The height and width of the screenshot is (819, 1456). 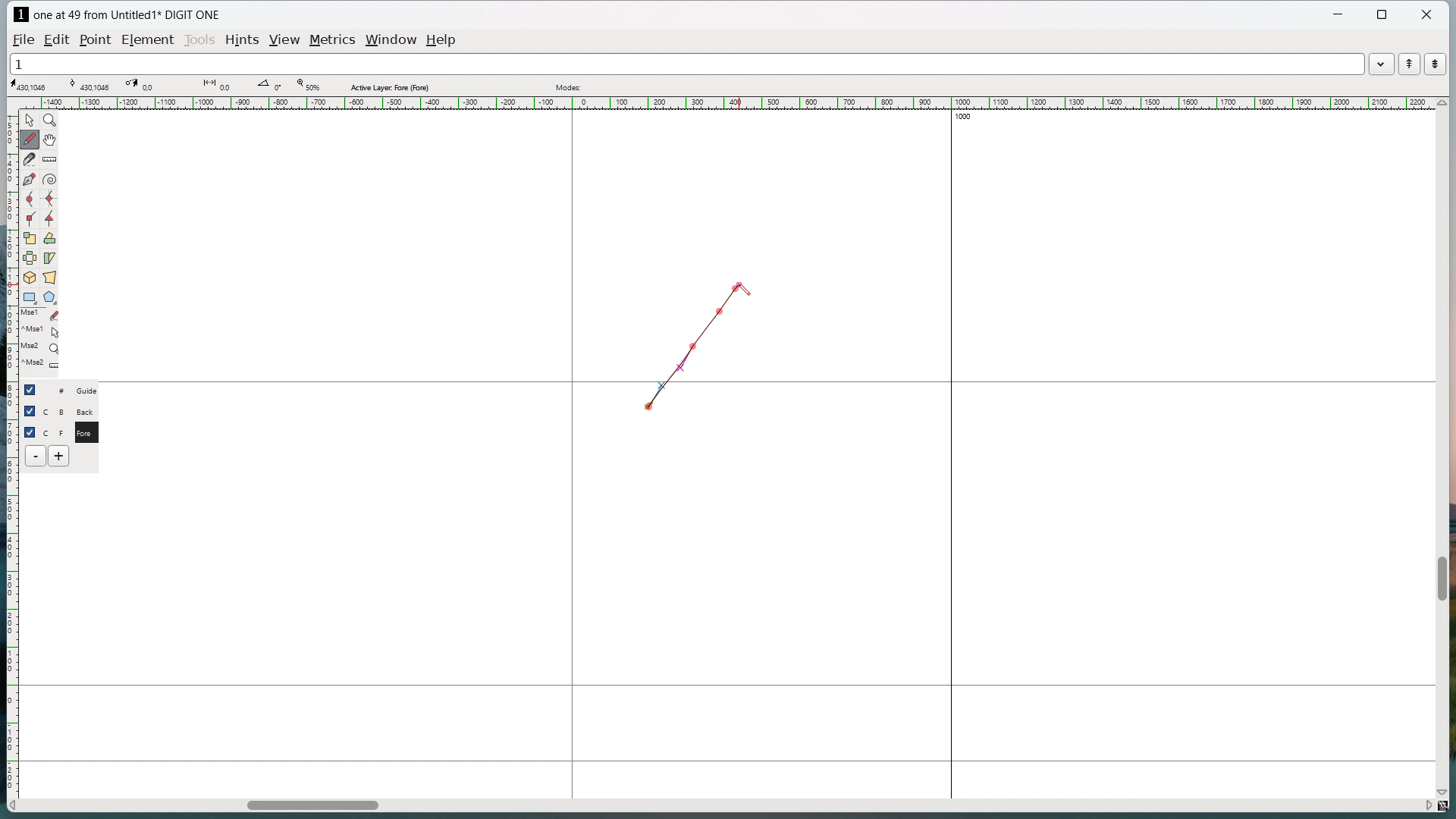 What do you see at coordinates (30, 431) in the screenshot?
I see `checkbox` at bounding box center [30, 431].